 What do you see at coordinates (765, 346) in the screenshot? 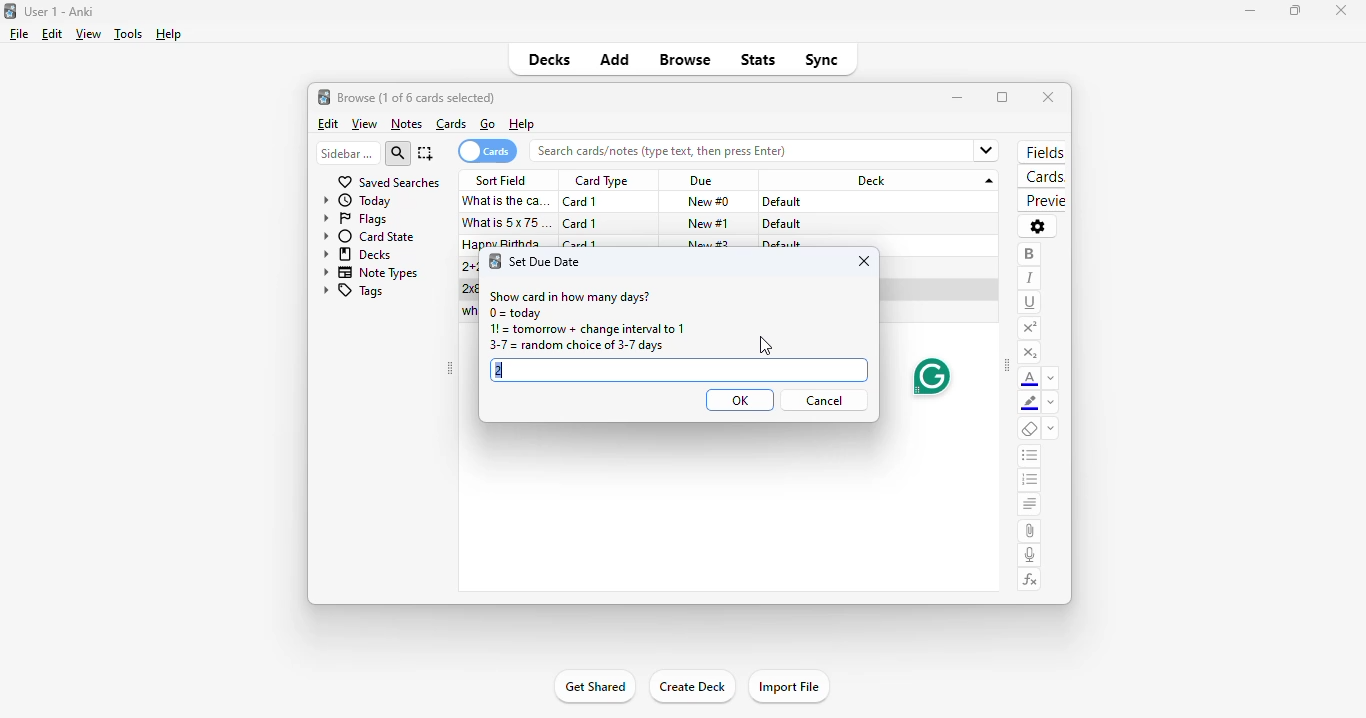
I see `cursor` at bounding box center [765, 346].